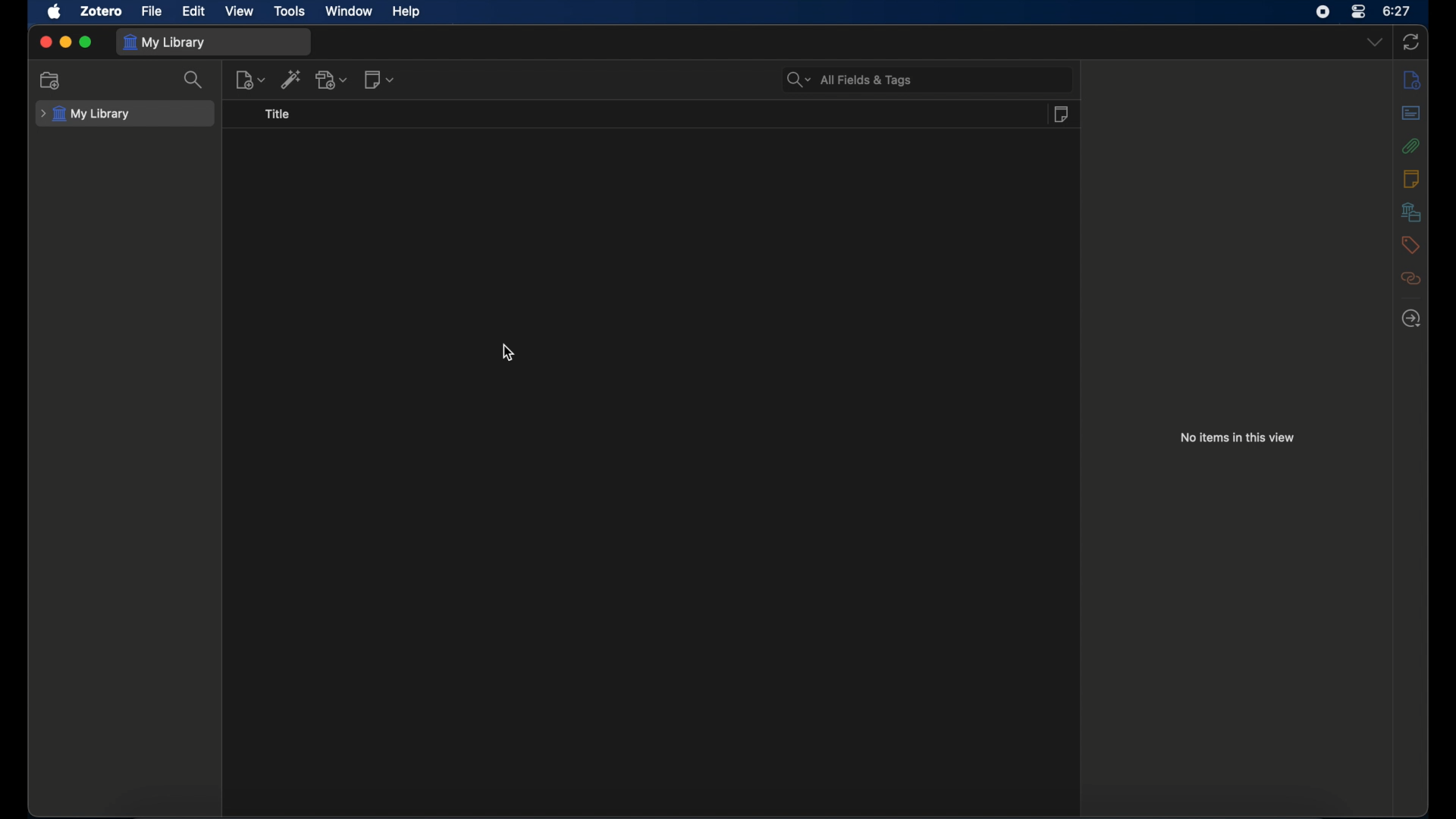 Image resolution: width=1456 pixels, height=819 pixels. Describe the element at coordinates (1241, 437) in the screenshot. I see `no items in this view` at that location.